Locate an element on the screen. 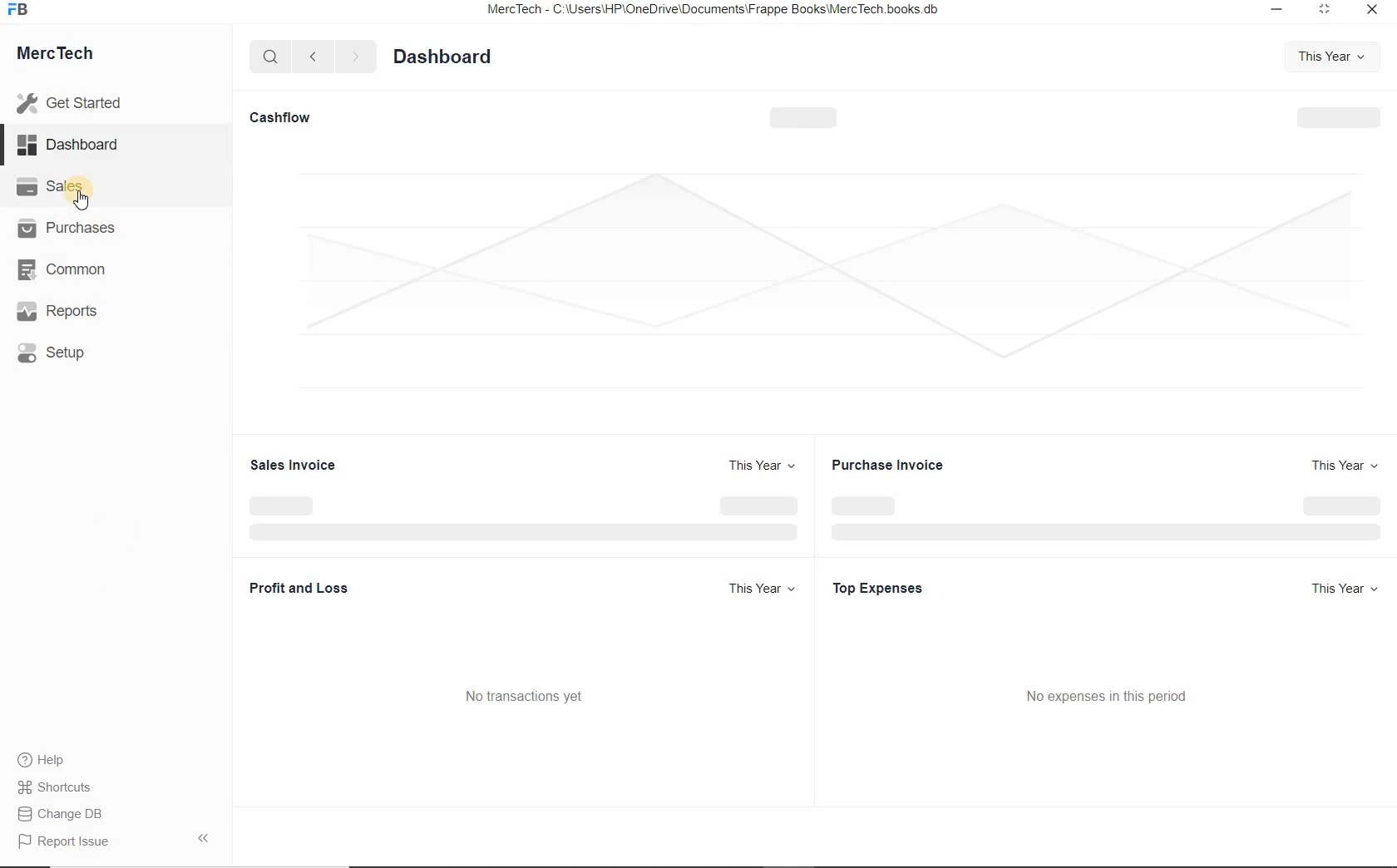 Image resolution: width=1397 pixels, height=868 pixels. Cashflow is located at coordinates (289, 117).